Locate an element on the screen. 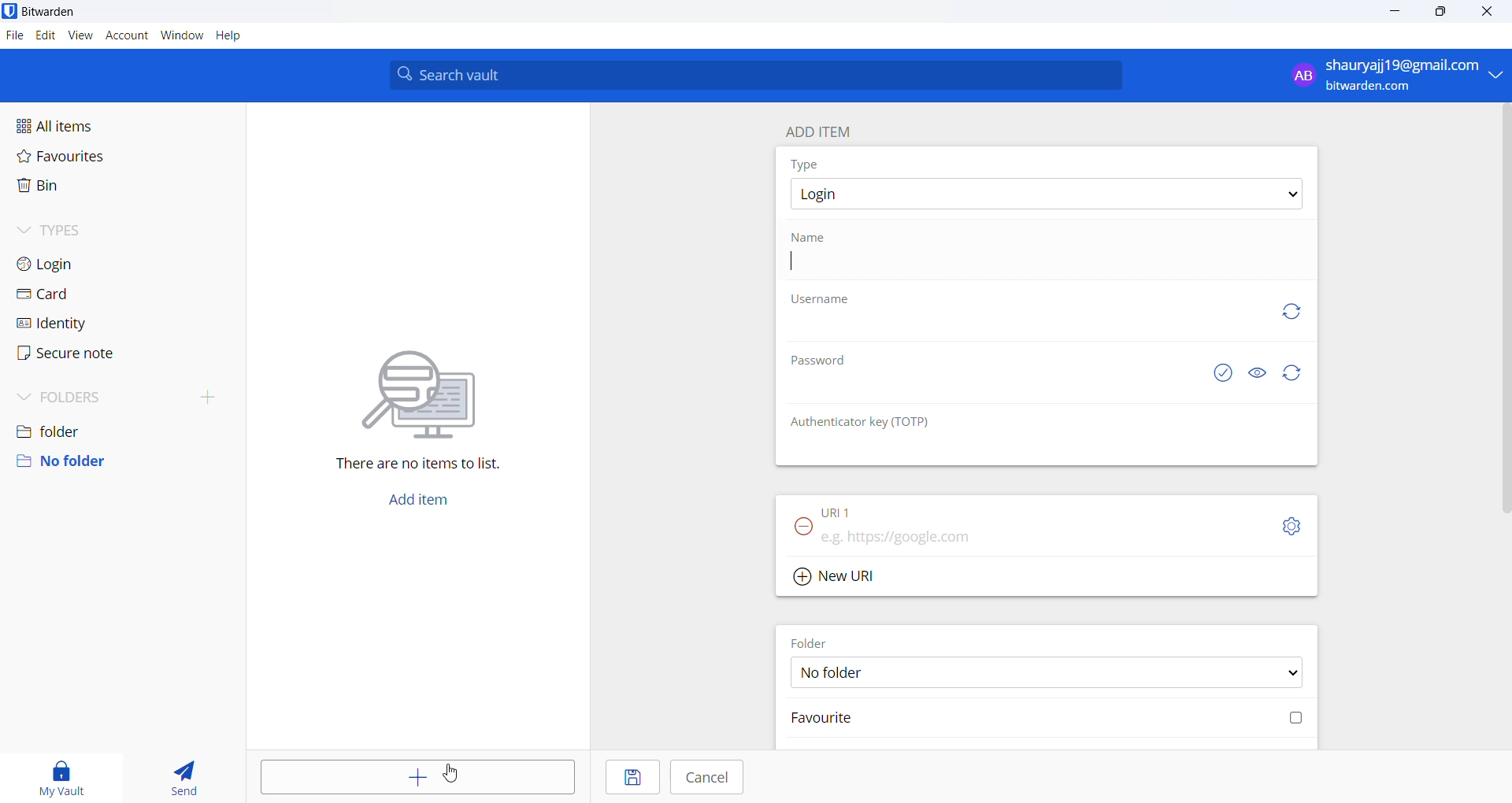 This screenshot has height=803, width=1512. show or hide is located at coordinates (1261, 370).